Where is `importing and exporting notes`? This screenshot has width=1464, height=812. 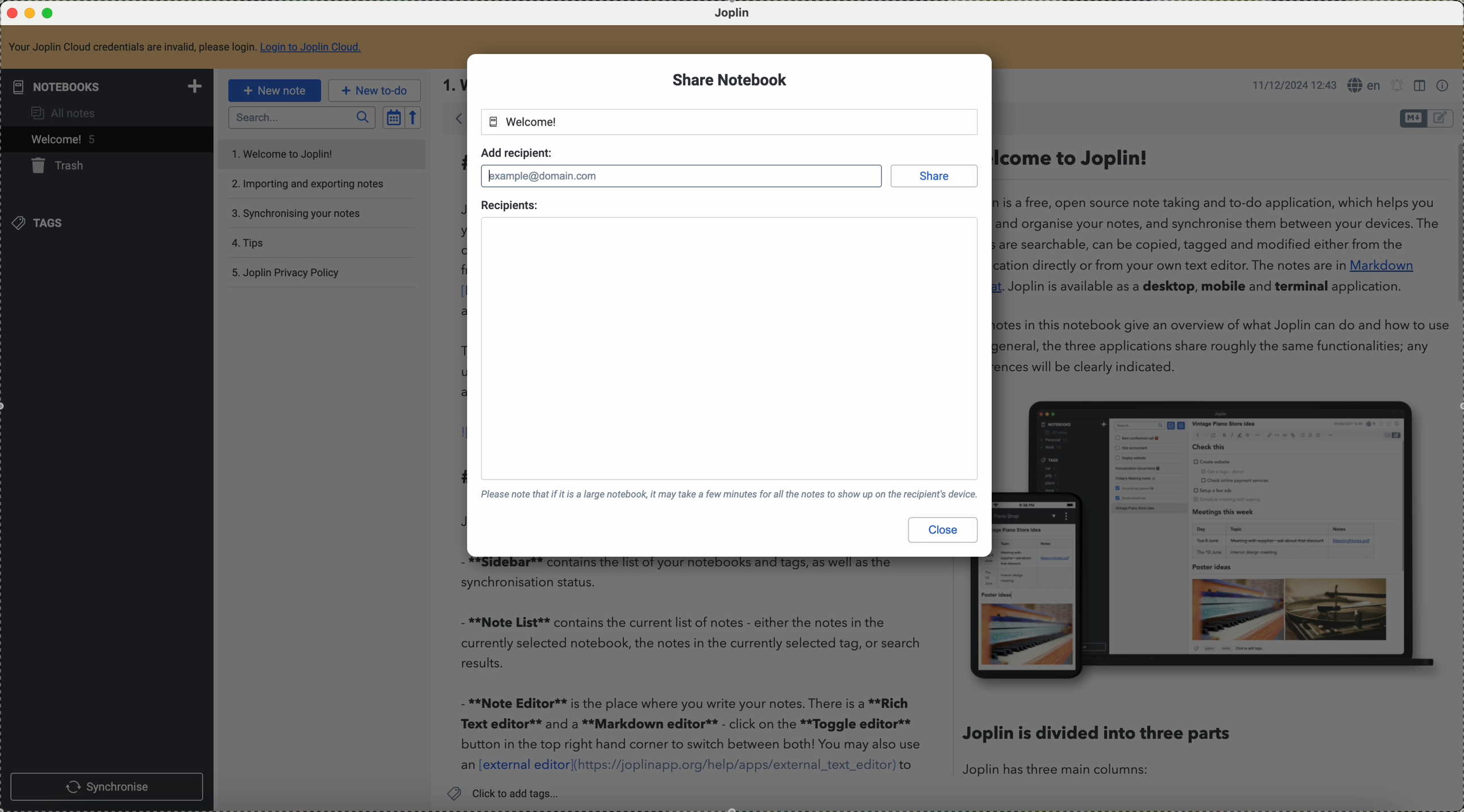 importing and exporting notes is located at coordinates (309, 184).